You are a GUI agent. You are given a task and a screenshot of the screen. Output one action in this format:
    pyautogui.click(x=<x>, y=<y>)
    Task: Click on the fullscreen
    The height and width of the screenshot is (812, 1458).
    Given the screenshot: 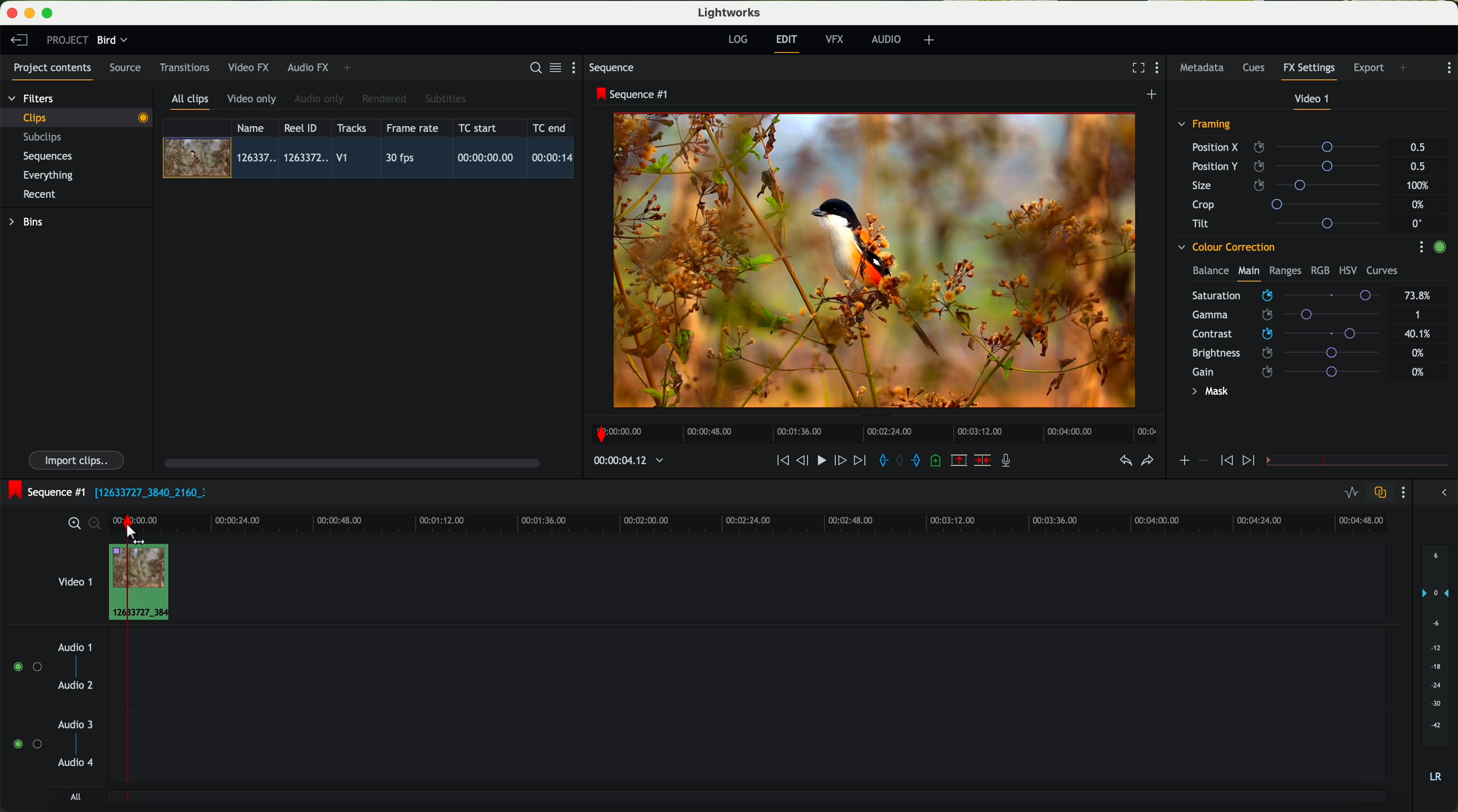 What is the action you would take?
    pyautogui.click(x=1136, y=67)
    